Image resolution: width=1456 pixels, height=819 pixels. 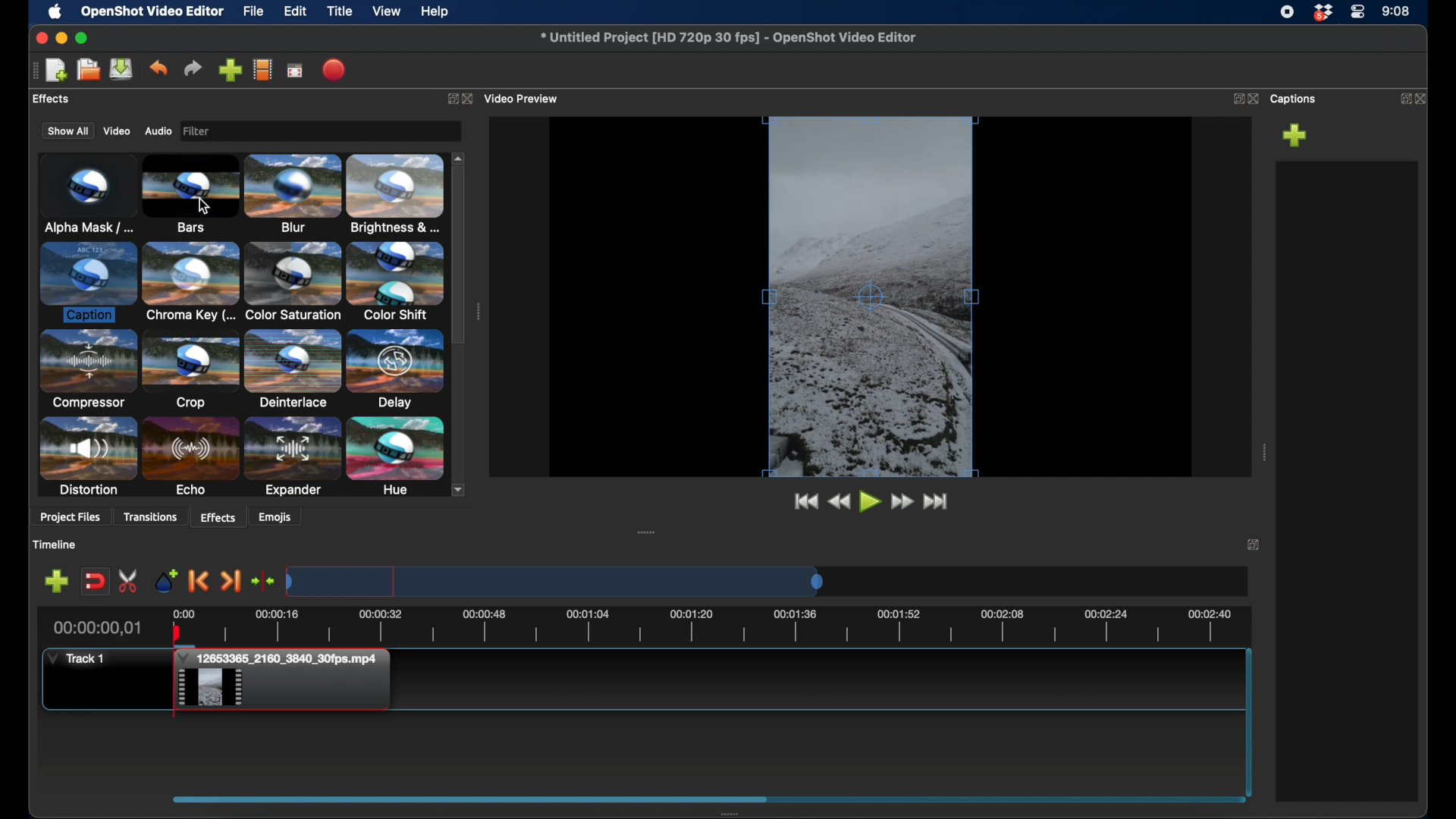 I want to click on close, so click(x=39, y=38).